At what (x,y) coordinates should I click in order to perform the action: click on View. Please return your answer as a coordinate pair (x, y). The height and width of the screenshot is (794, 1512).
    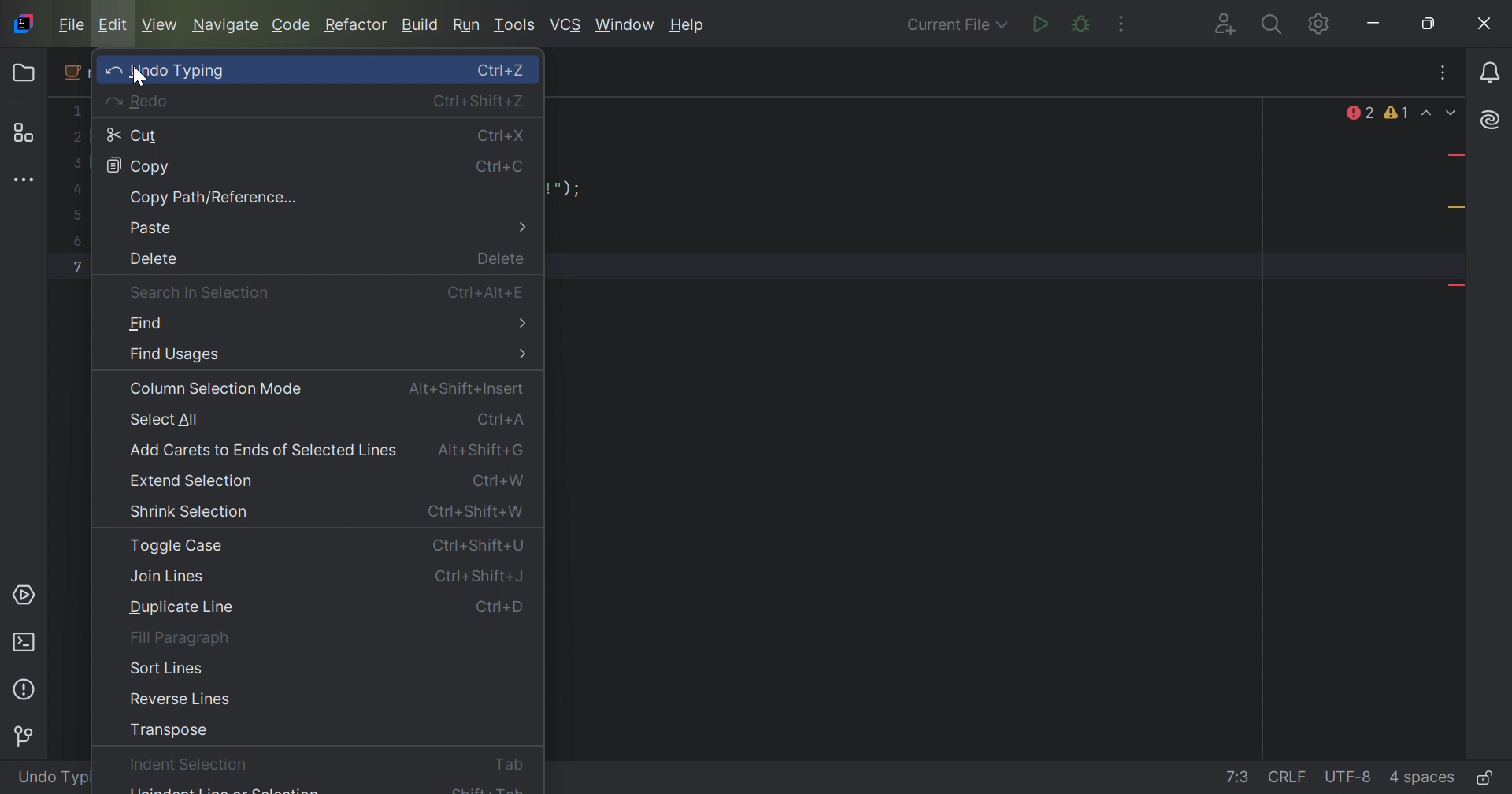
    Looking at the image, I should click on (160, 27).